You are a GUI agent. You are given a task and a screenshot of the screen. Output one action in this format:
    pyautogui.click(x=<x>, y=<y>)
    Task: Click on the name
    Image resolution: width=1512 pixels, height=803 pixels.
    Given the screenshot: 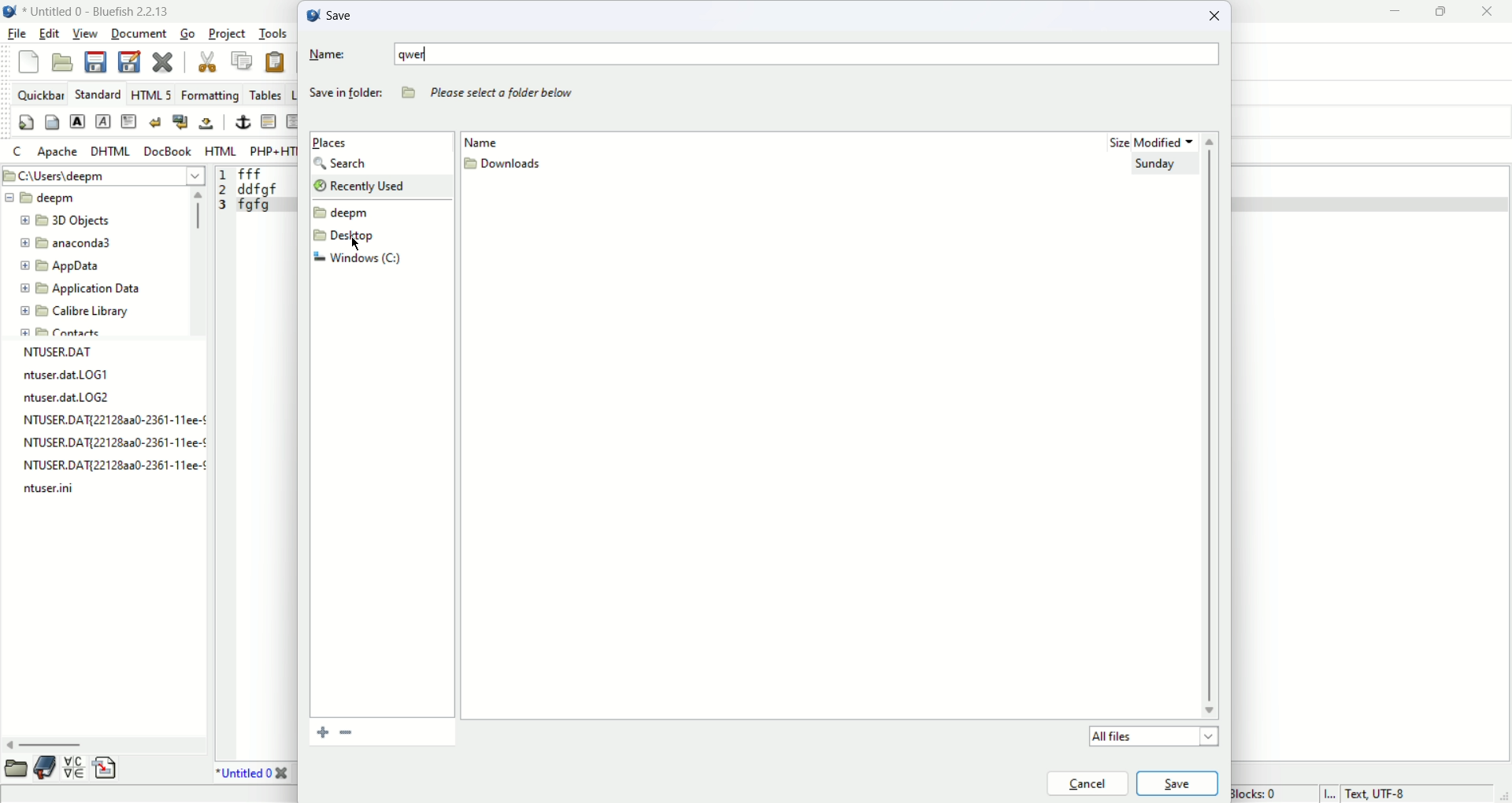 What is the action you would take?
    pyautogui.click(x=497, y=140)
    